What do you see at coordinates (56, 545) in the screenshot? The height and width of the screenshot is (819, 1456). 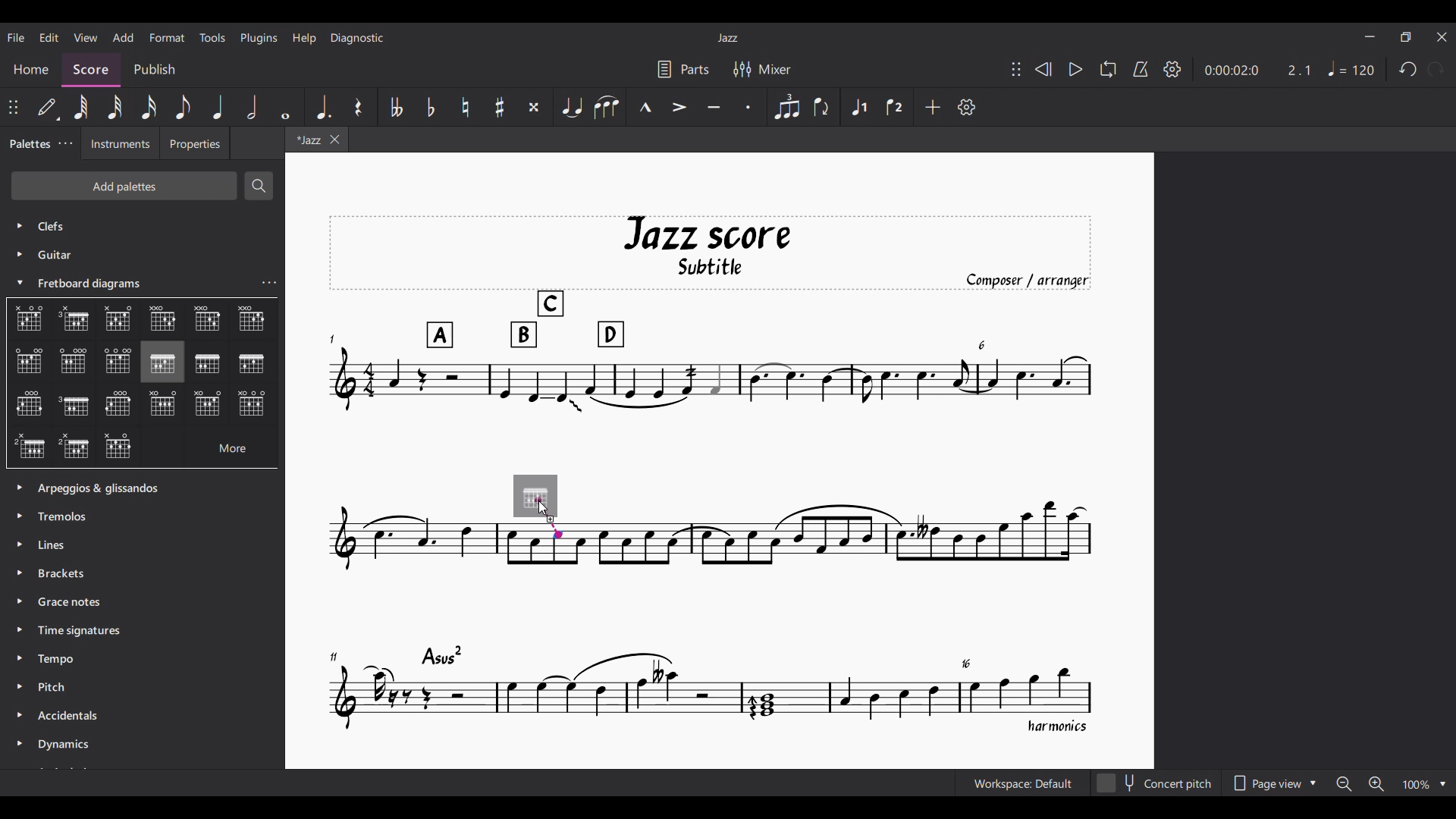 I see `lines` at bounding box center [56, 545].